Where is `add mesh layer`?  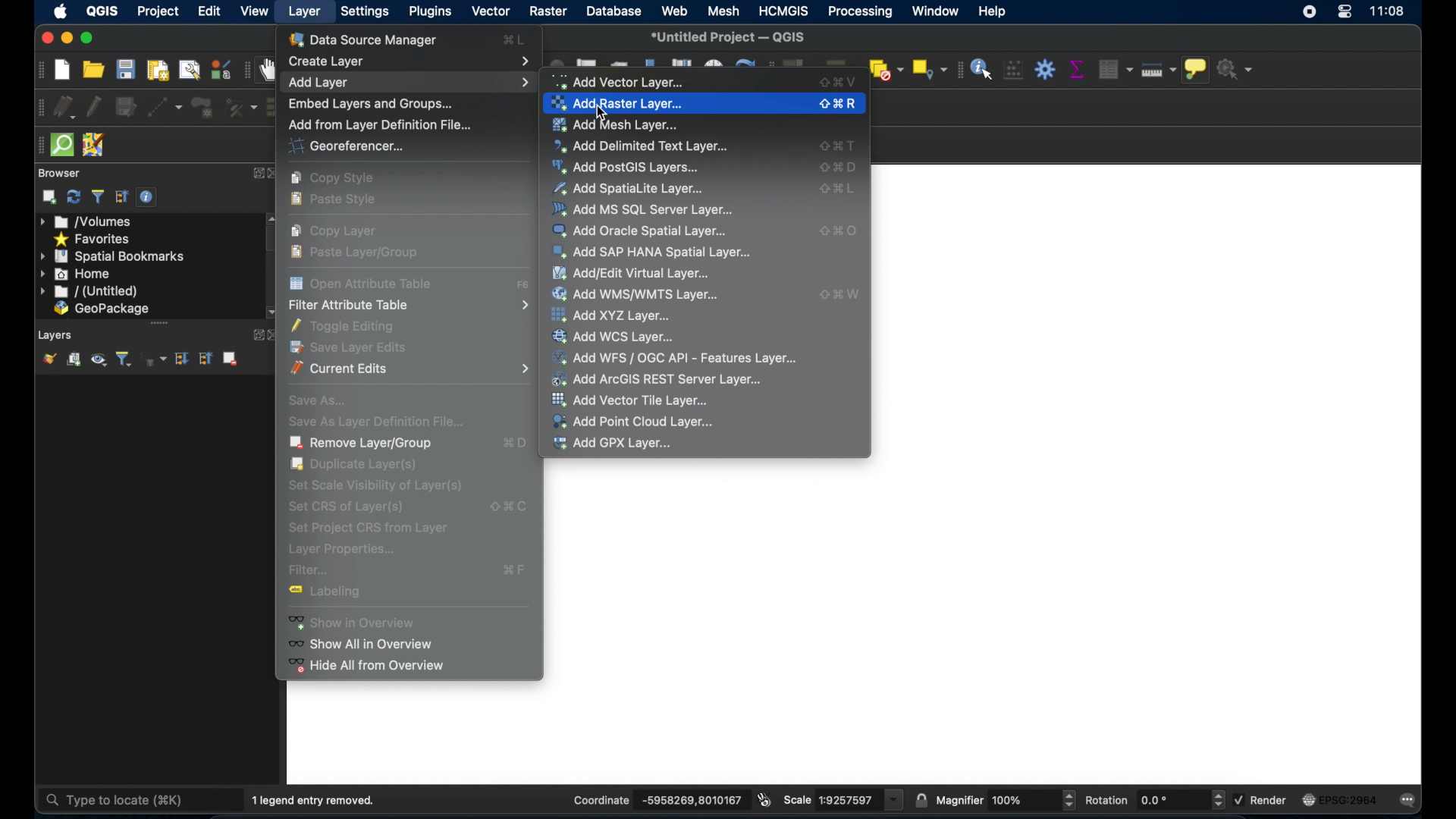
add mesh layer is located at coordinates (620, 124).